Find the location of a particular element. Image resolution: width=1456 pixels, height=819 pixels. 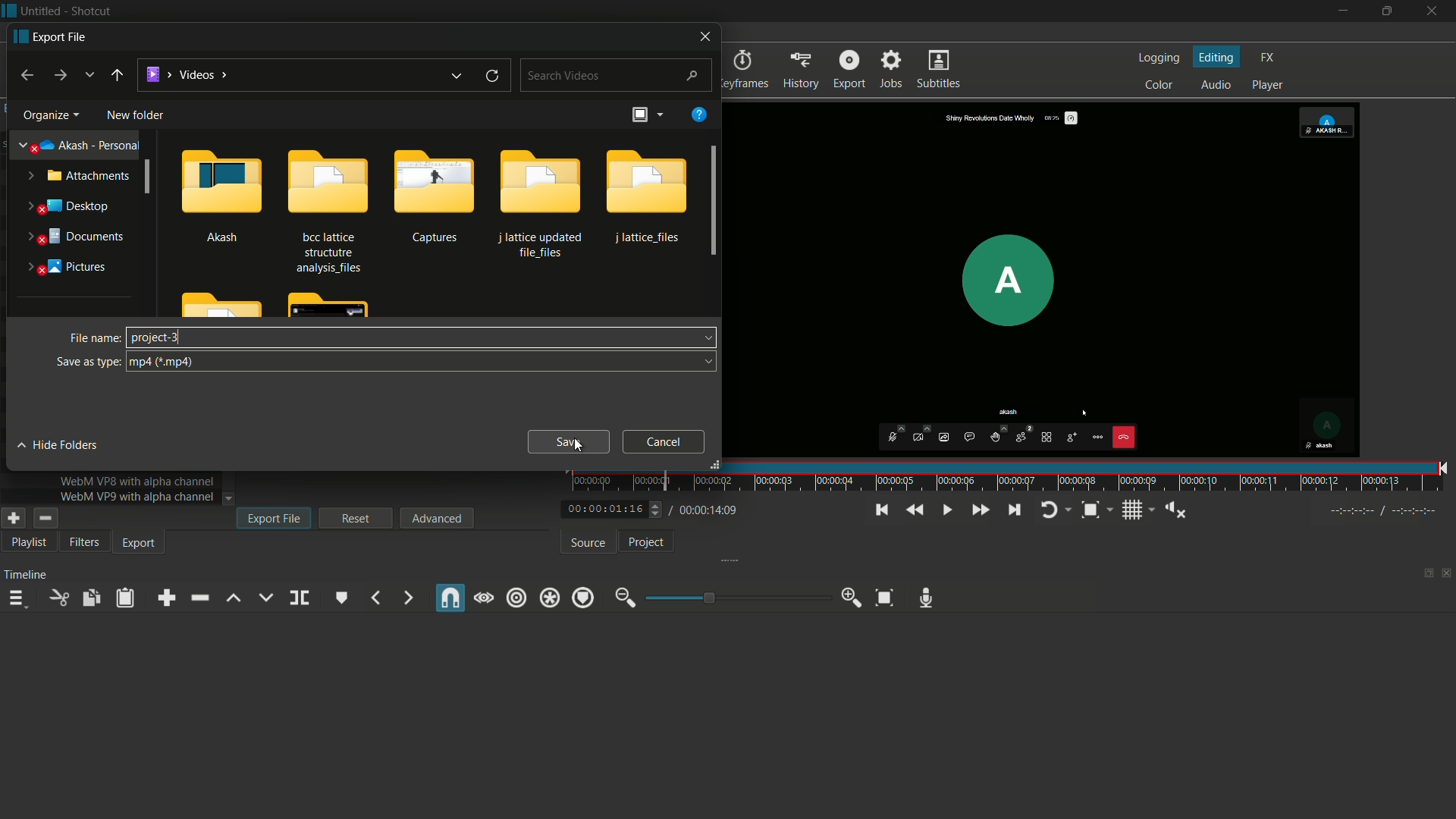

zoom in is located at coordinates (853, 598).